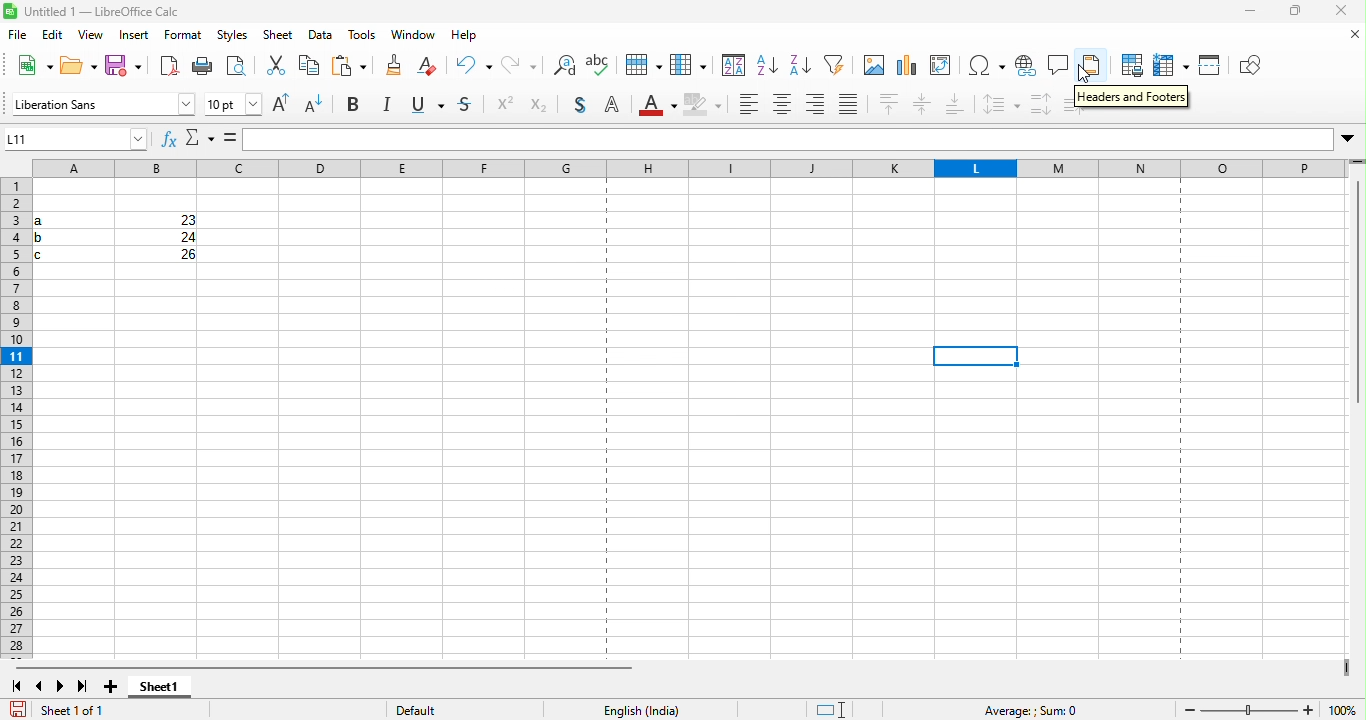  Describe the element at coordinates (33, 66) in the screenshot. I see `new` at that location.